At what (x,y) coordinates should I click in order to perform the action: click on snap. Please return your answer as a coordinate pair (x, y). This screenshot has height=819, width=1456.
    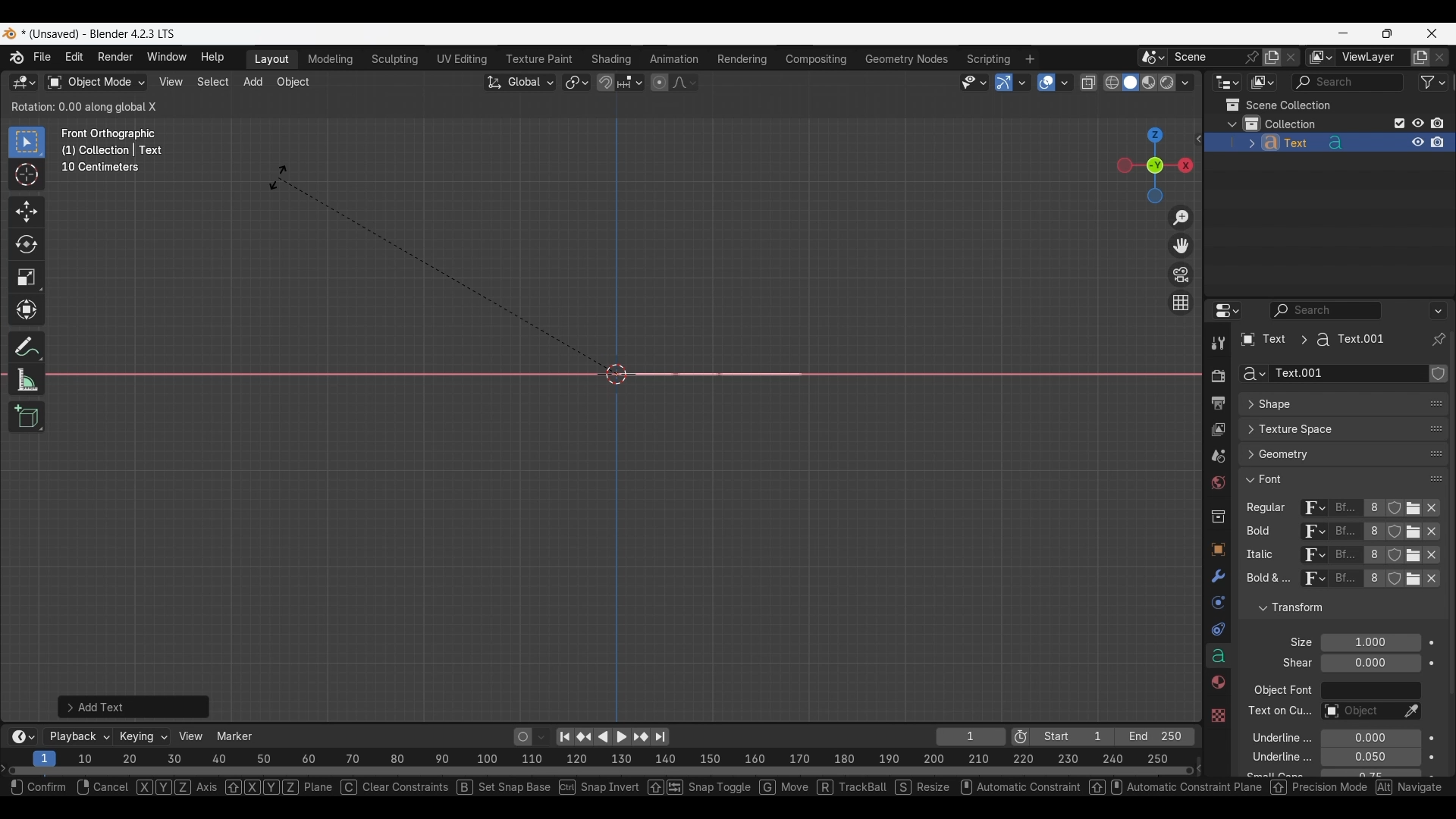
    Looking at the image, I should click on (595, 789).